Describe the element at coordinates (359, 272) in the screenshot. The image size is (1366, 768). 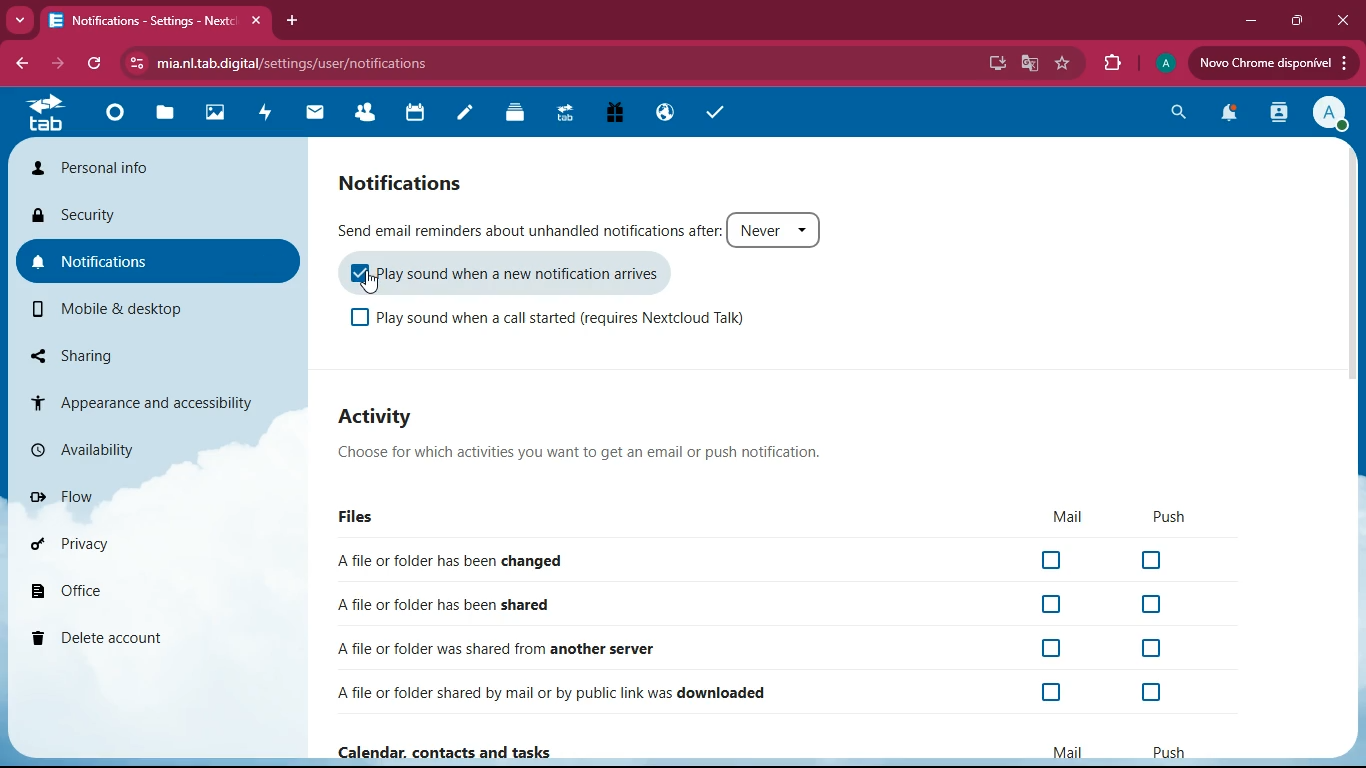
I see `on` at that location.